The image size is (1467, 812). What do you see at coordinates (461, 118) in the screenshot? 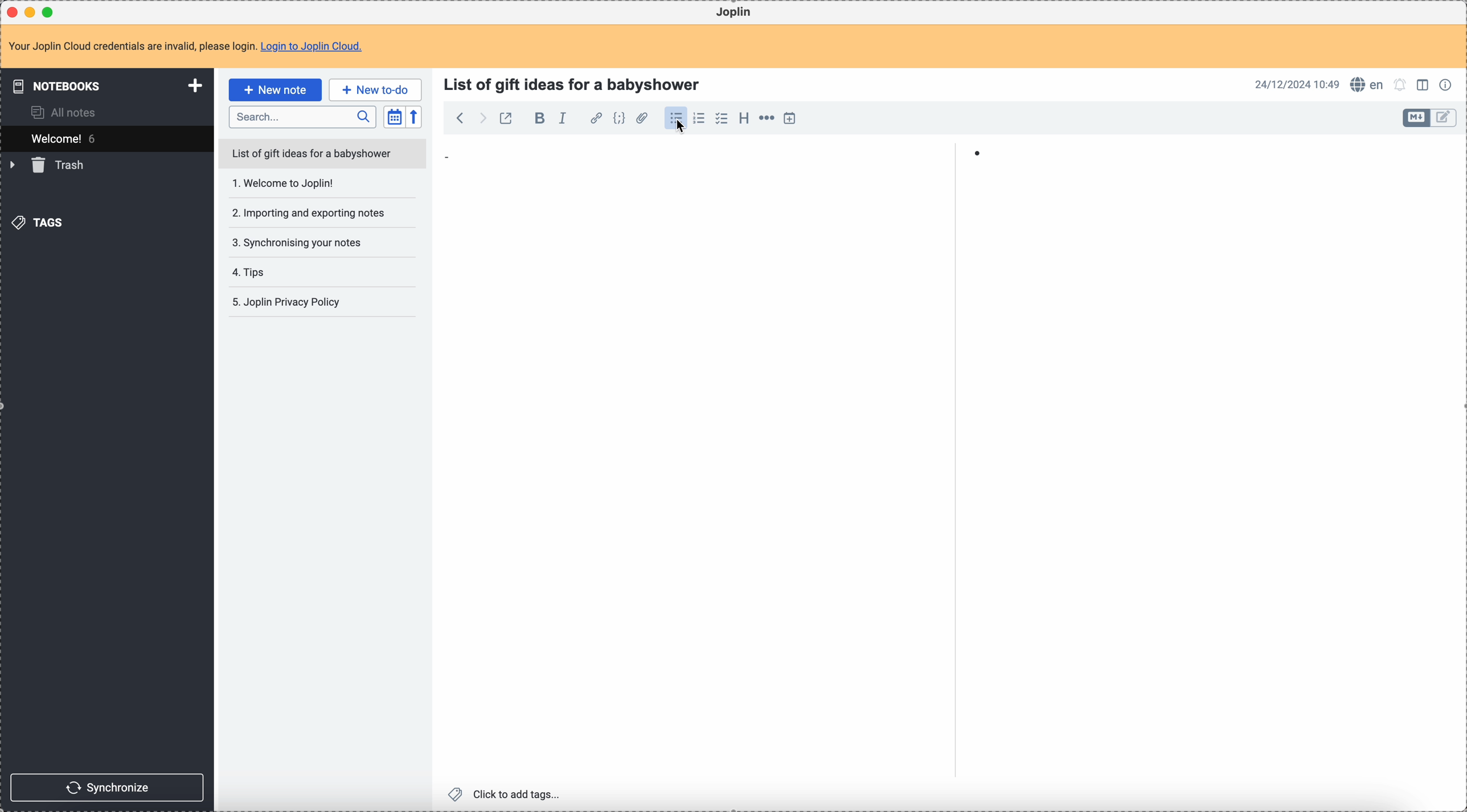
I see `back` at bounding box center [461, 118].